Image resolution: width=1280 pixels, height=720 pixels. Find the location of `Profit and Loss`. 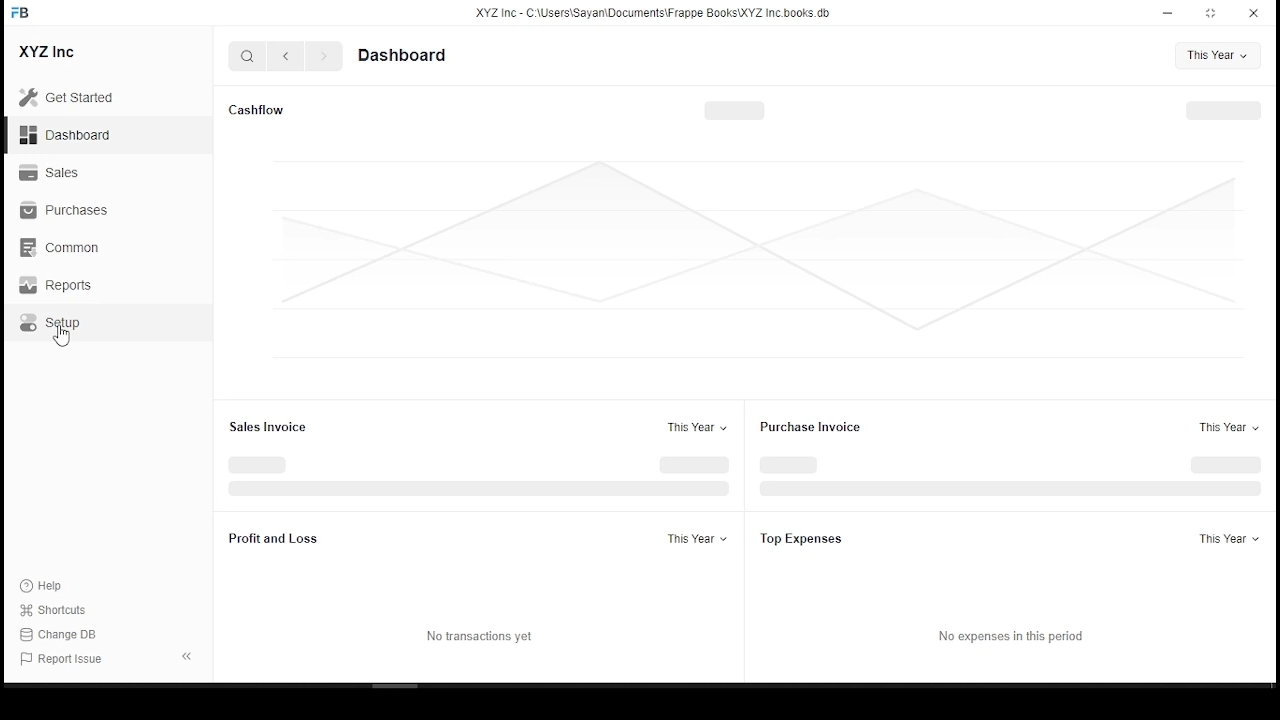

Profit and Loss is located at coordinates (271, 538).